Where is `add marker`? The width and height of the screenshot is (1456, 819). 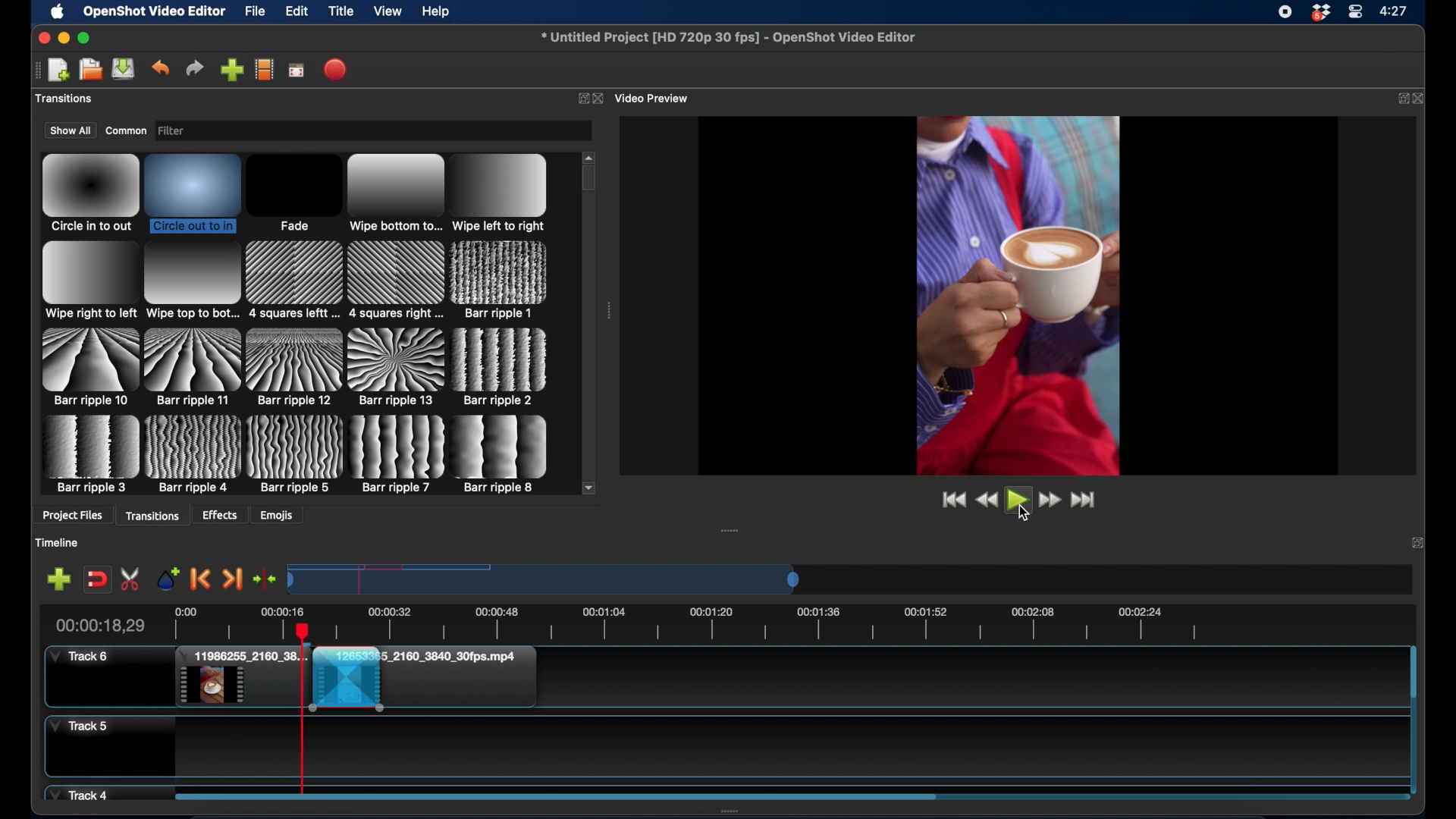
add marker is located at coordinates (168, 578).